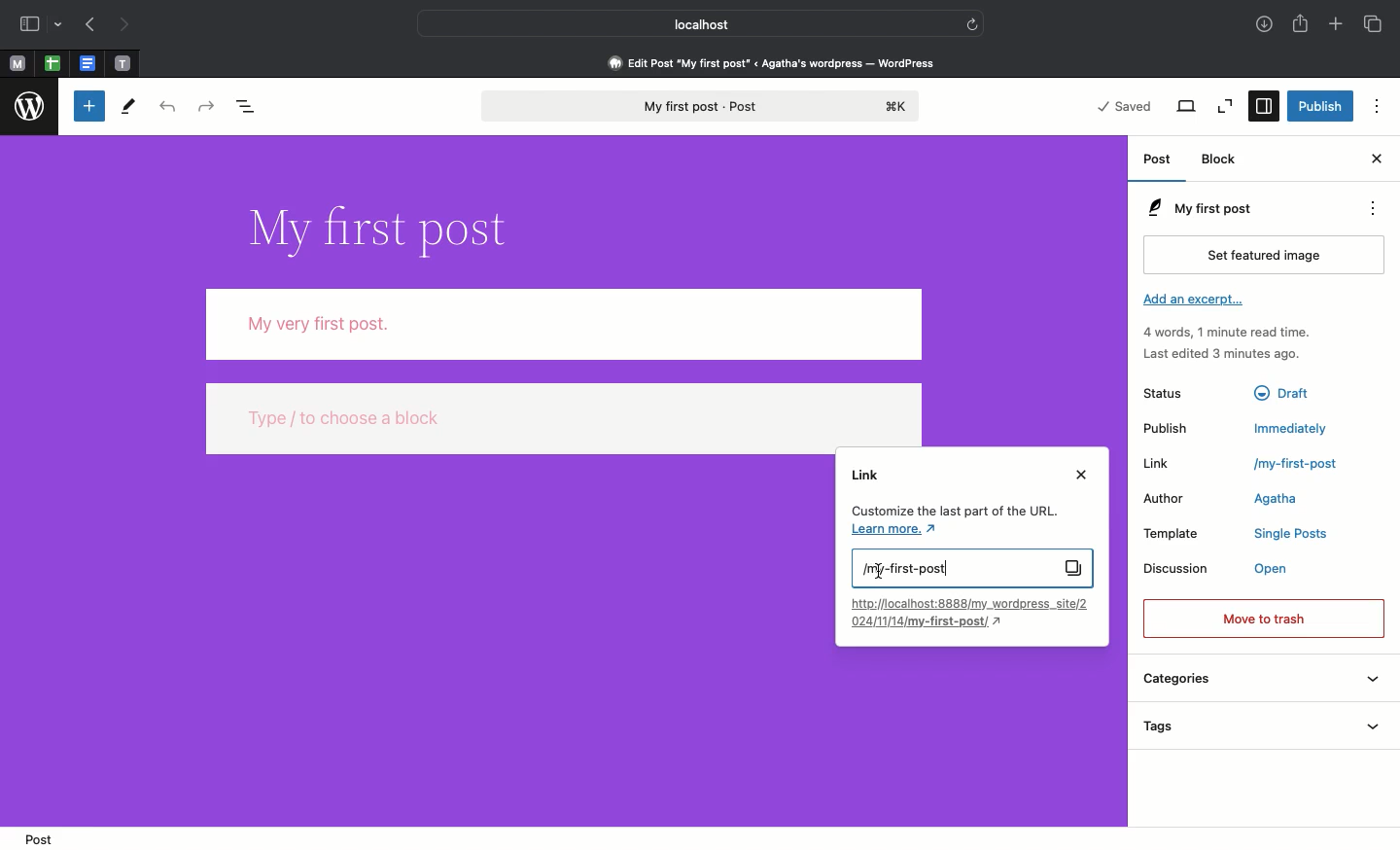  What do you see at coordinates (952, 521) in the screenshot?
I see `Customize the last part of the URL` at bounding box center [952, 521].